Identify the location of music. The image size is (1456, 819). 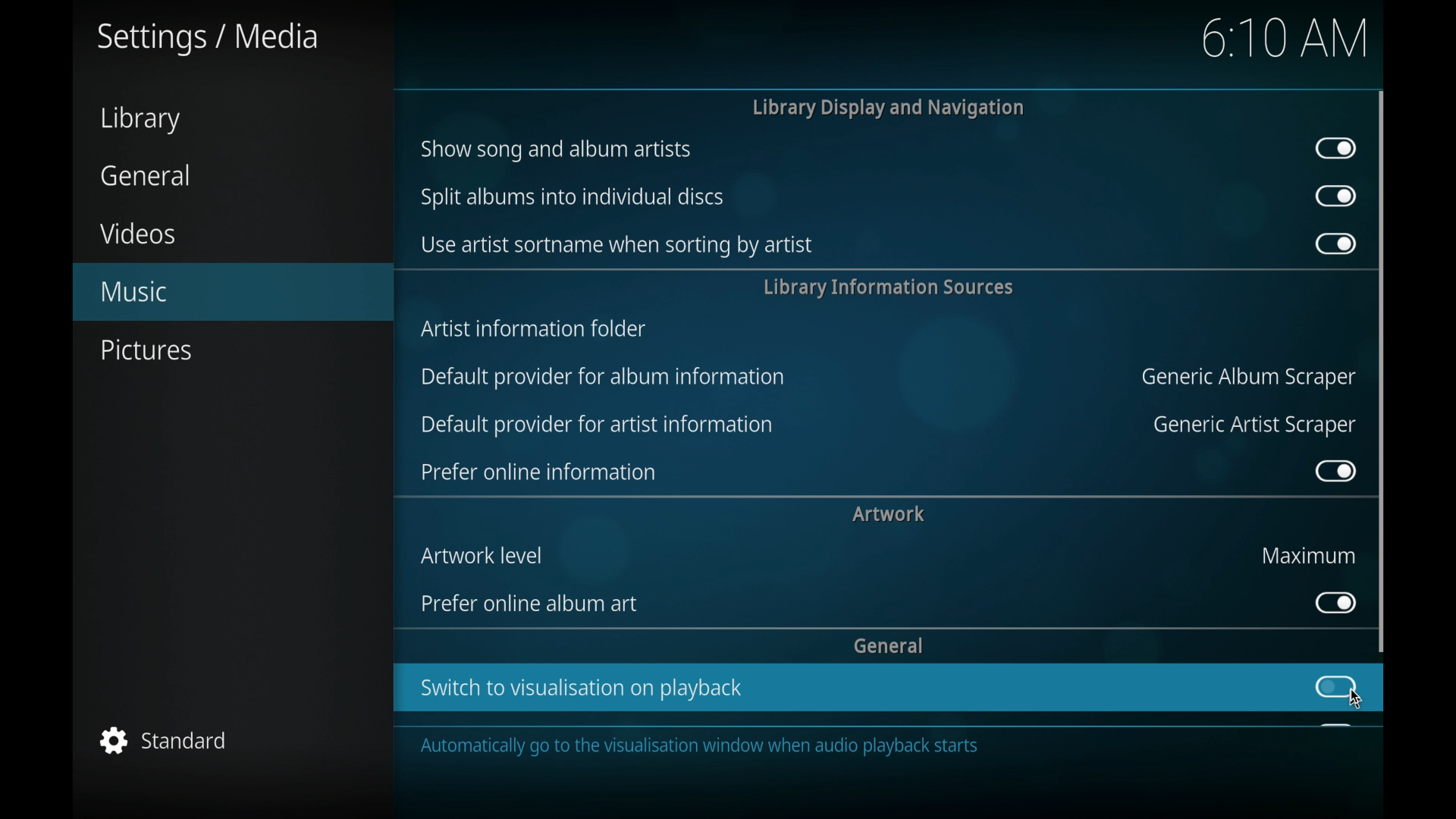
(233, 292).